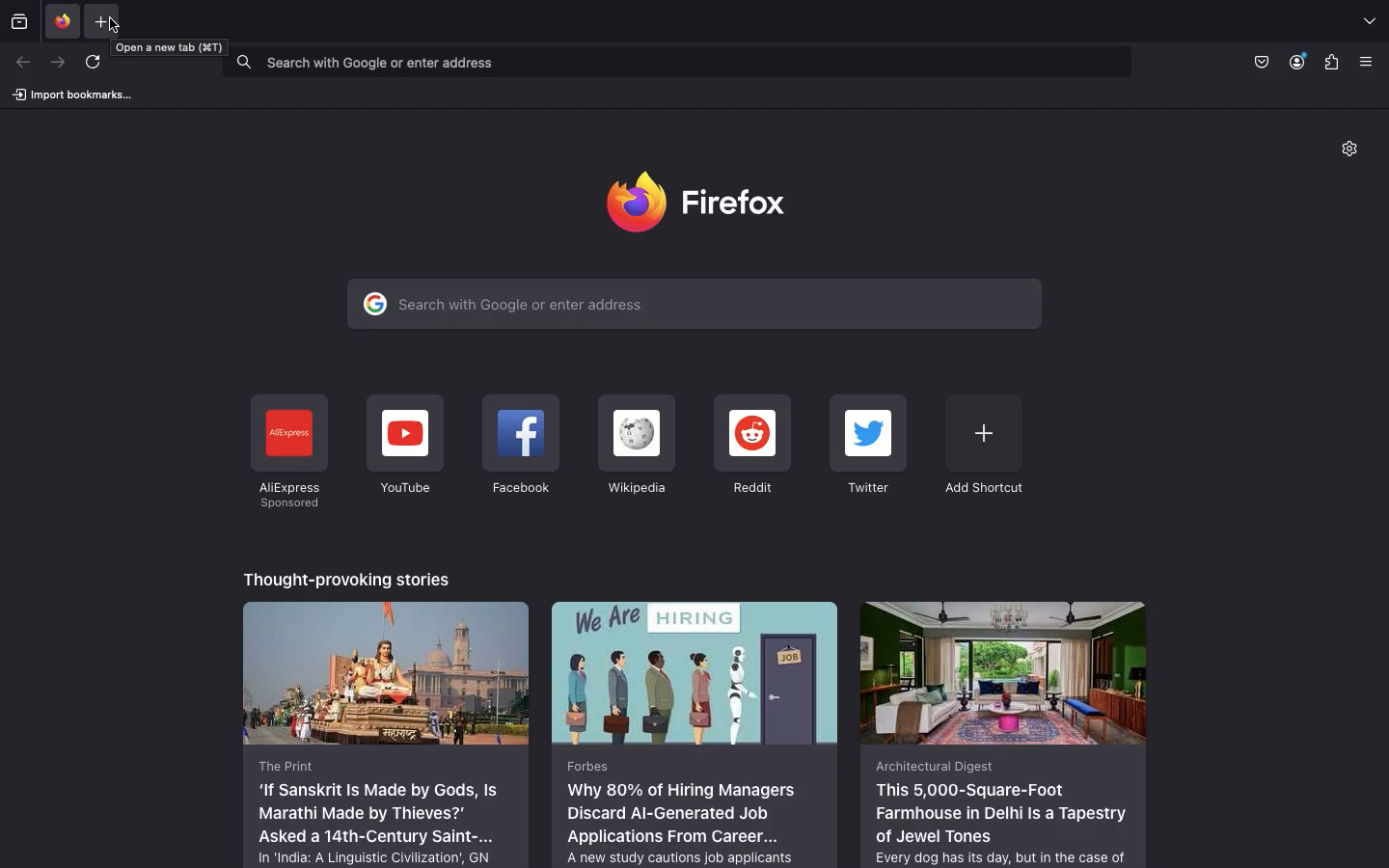 The image size is (1389, 868). What do you see at coordinates (404, 446) in the screenshot?
I see `Youtube` at bounding box center [404, 446].